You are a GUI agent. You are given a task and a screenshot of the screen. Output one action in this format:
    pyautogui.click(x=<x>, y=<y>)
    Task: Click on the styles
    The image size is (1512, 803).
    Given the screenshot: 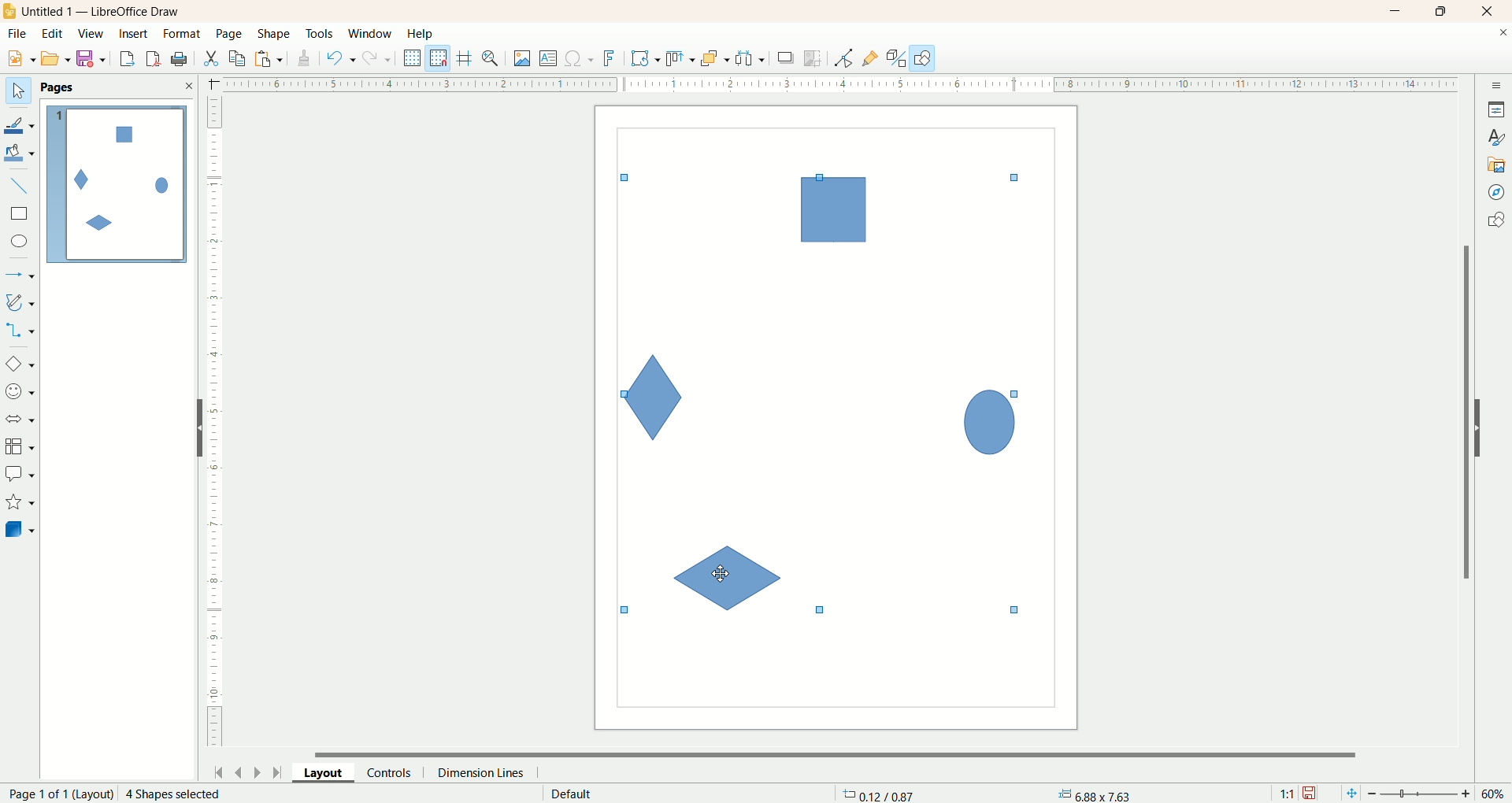 What is the action you would take?
    pyautogui.click(x=1496, y=135)
    